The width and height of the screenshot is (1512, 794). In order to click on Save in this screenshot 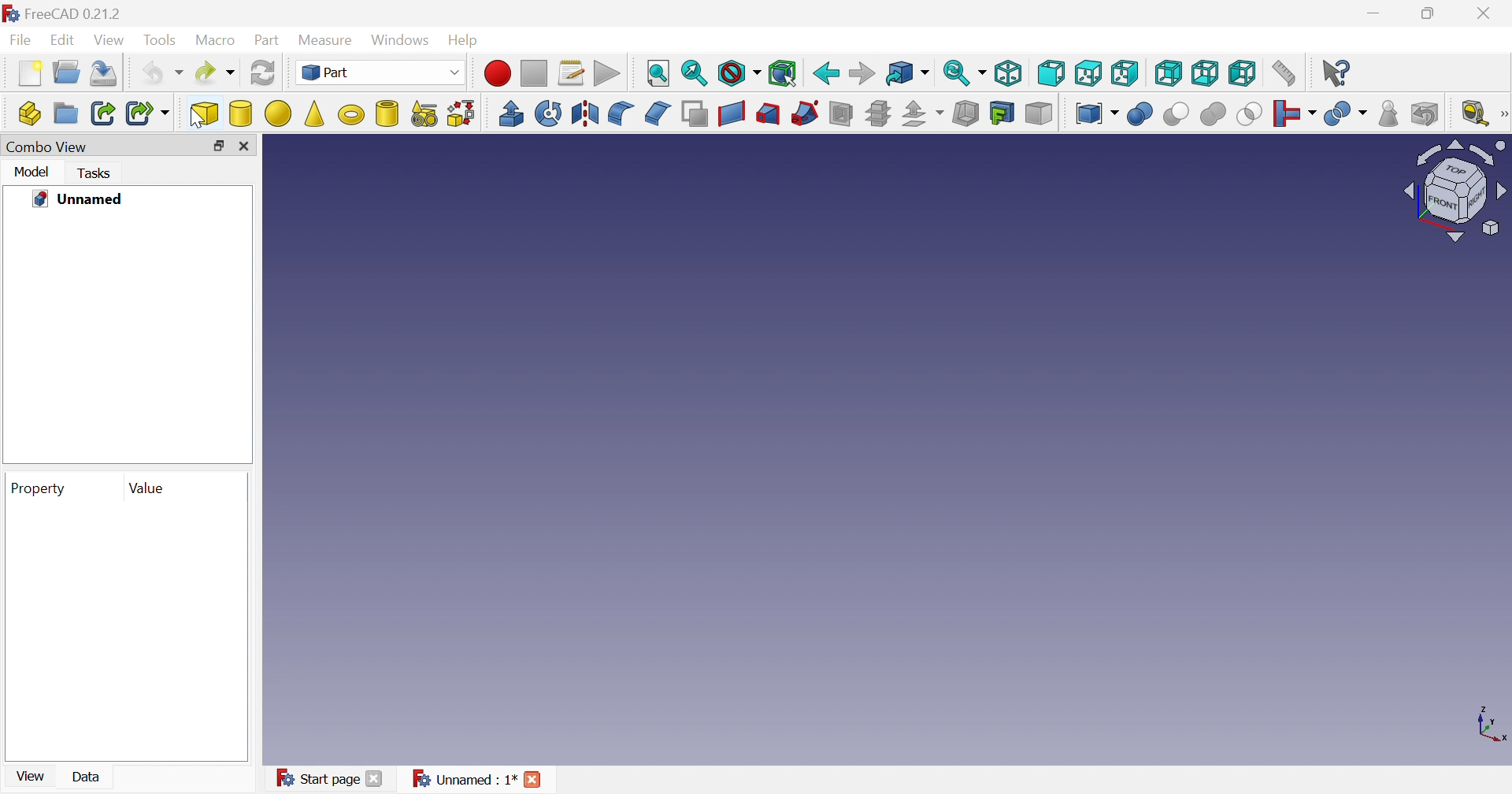, I will do `click(103, 72)`.